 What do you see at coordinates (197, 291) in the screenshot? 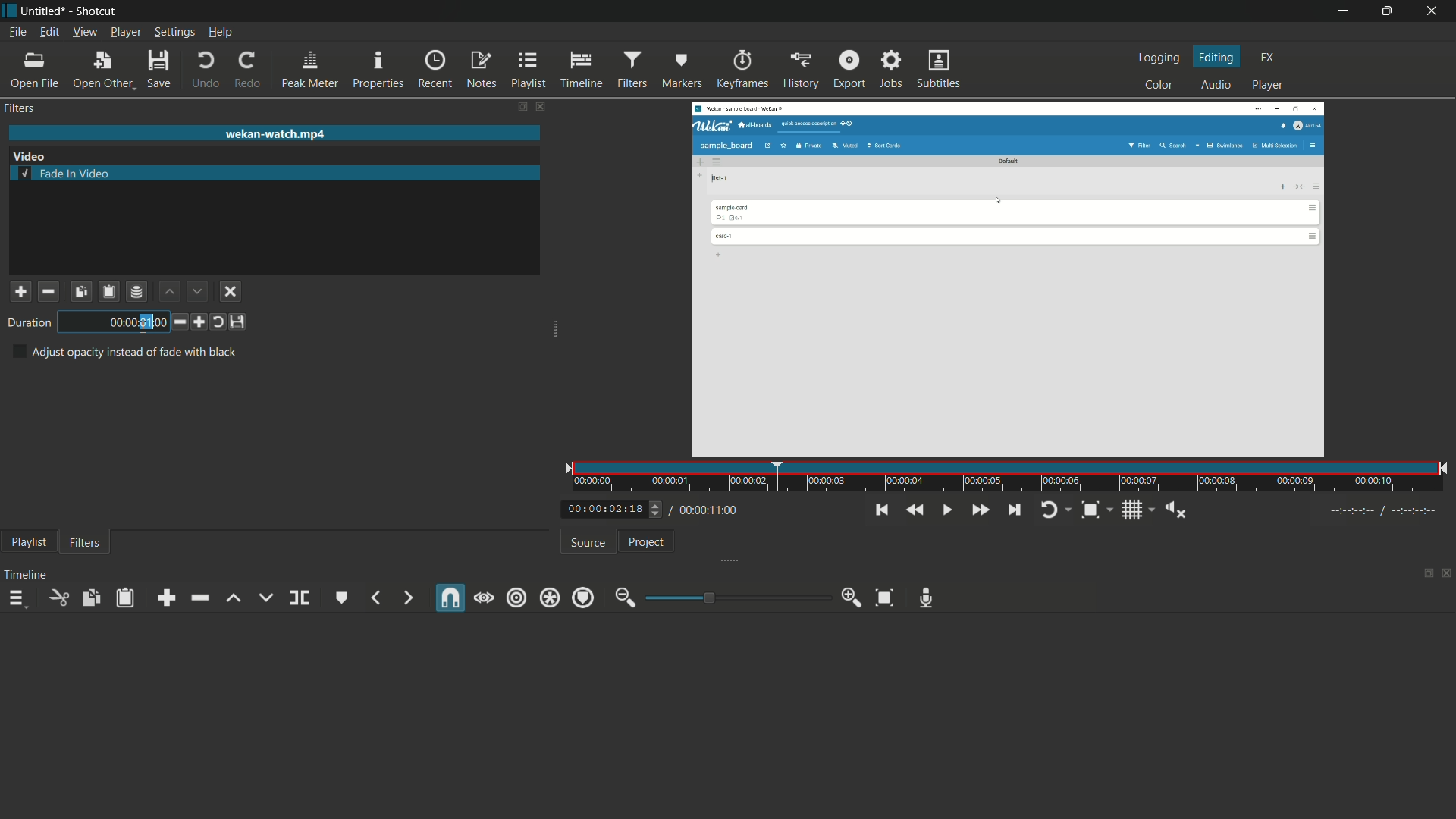
I see `move filter down` at bounding box center [197, 291].